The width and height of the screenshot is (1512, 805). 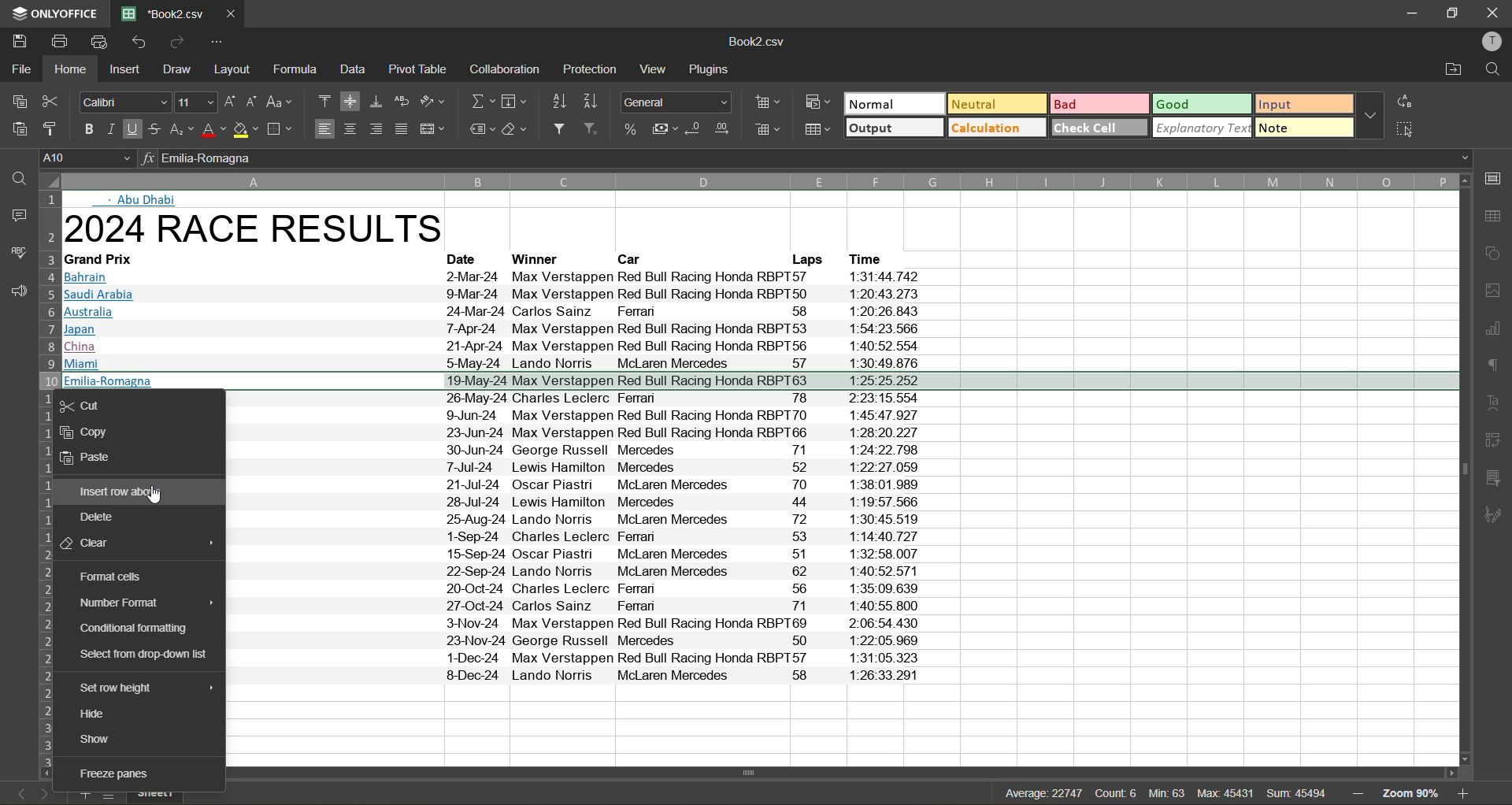 What do you see at coordinates (259, 231) in the screenshot?
I see `2024 RACE RESULTS` at bounding box center [259, 231].